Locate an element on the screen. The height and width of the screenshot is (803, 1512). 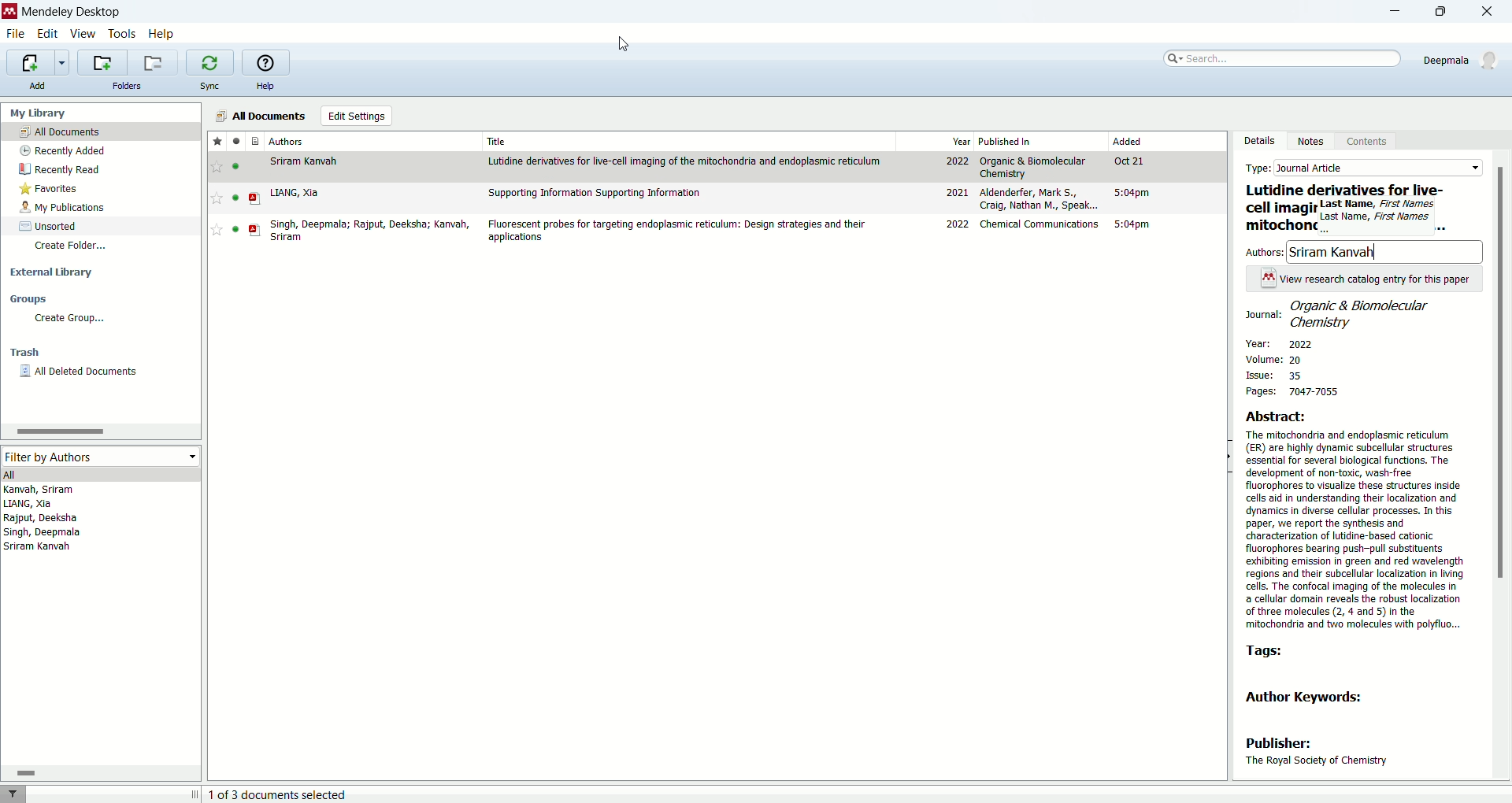
publisher: The Royal Society of Chemistry is located at coordinates (1317, 753).